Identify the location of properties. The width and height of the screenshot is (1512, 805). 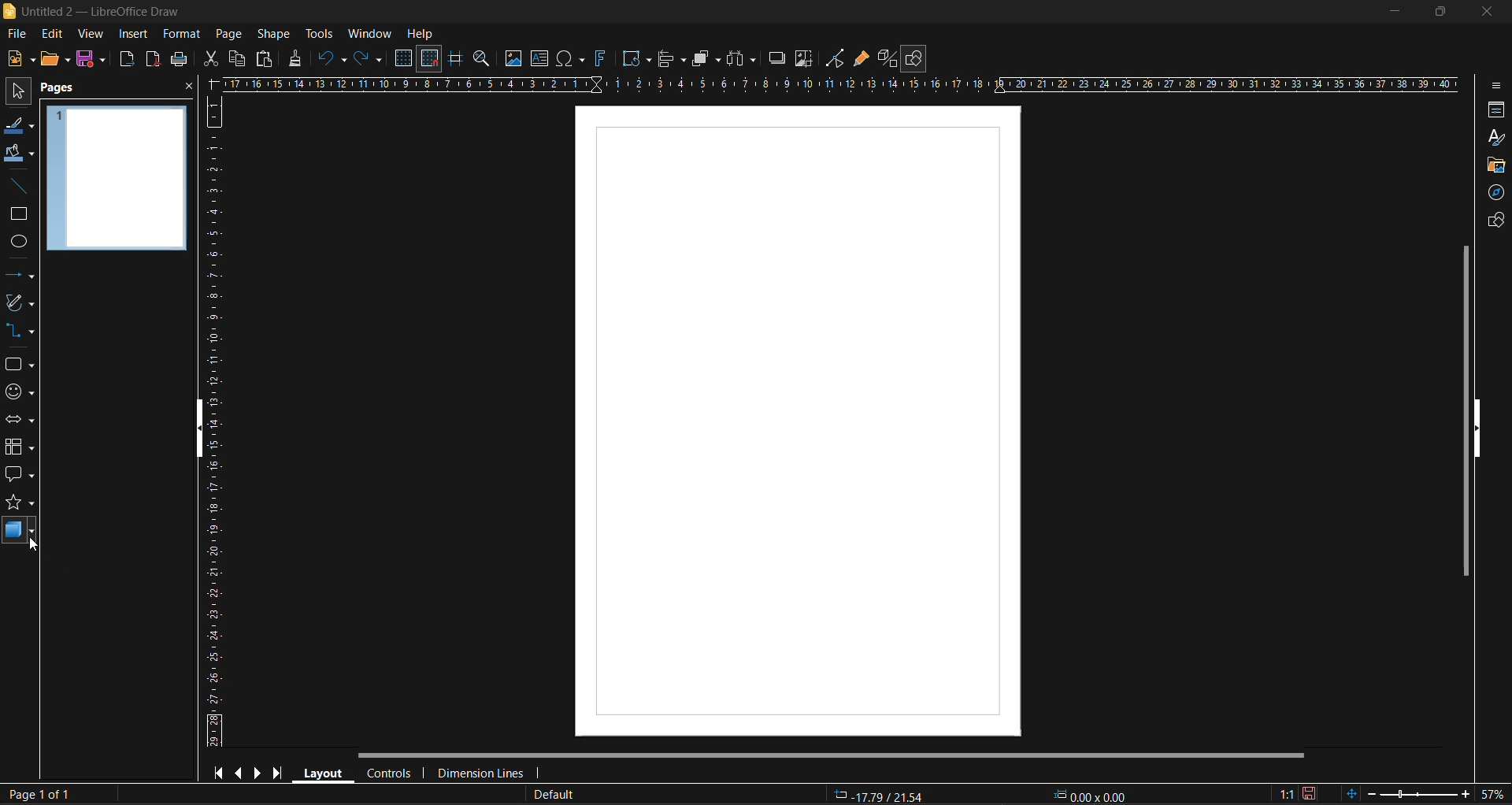
(1493, 111).